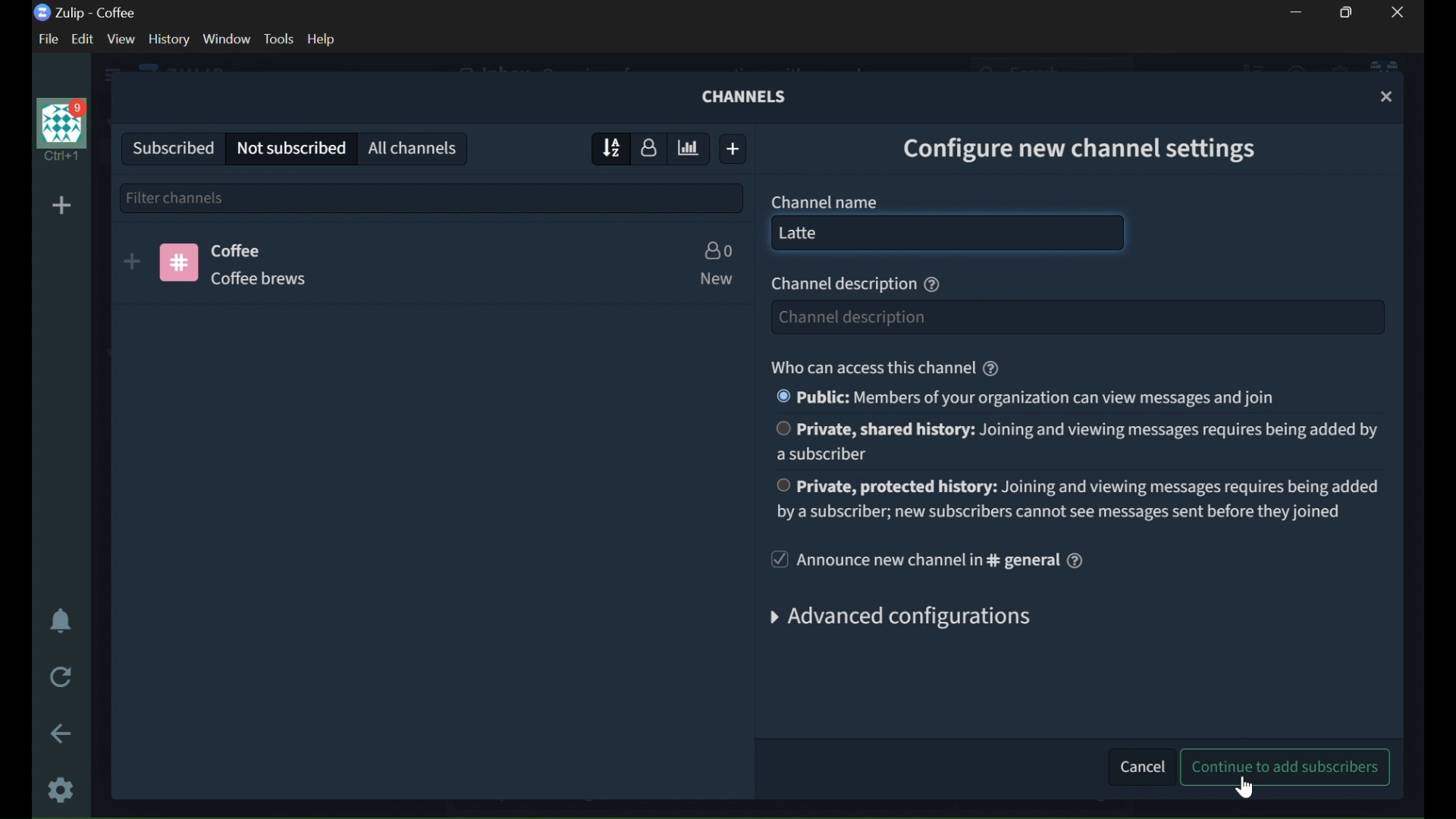 The width and height of the screenshot is (1456, 819). Describe the element at coordinates (736, 149) in the screenshot. I see `CREATE NEW CHANNEL` at that location.